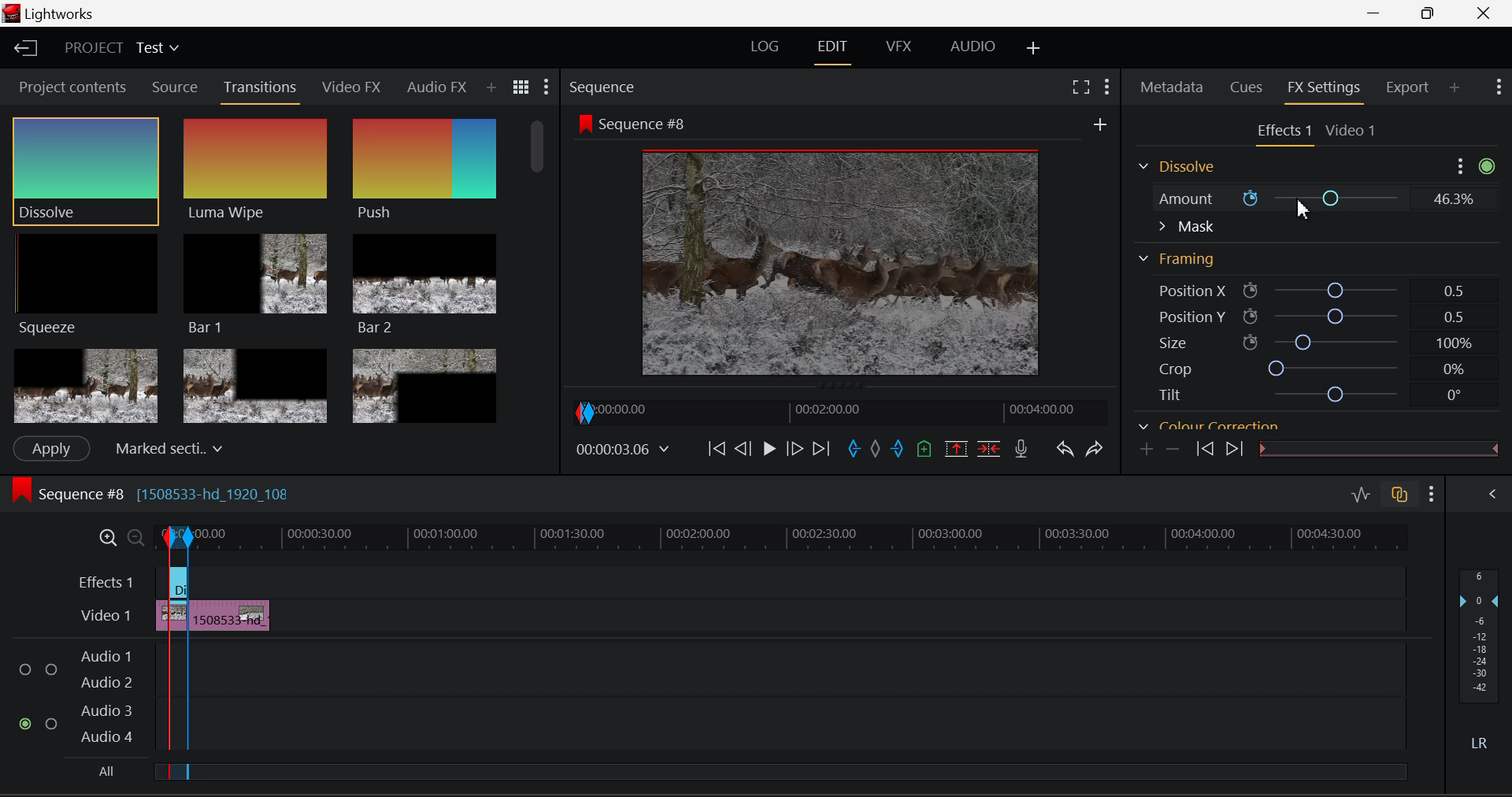  Describe the element at coordinates (541, 267) in the screenshot. I see `Scroll Bar` at that location.